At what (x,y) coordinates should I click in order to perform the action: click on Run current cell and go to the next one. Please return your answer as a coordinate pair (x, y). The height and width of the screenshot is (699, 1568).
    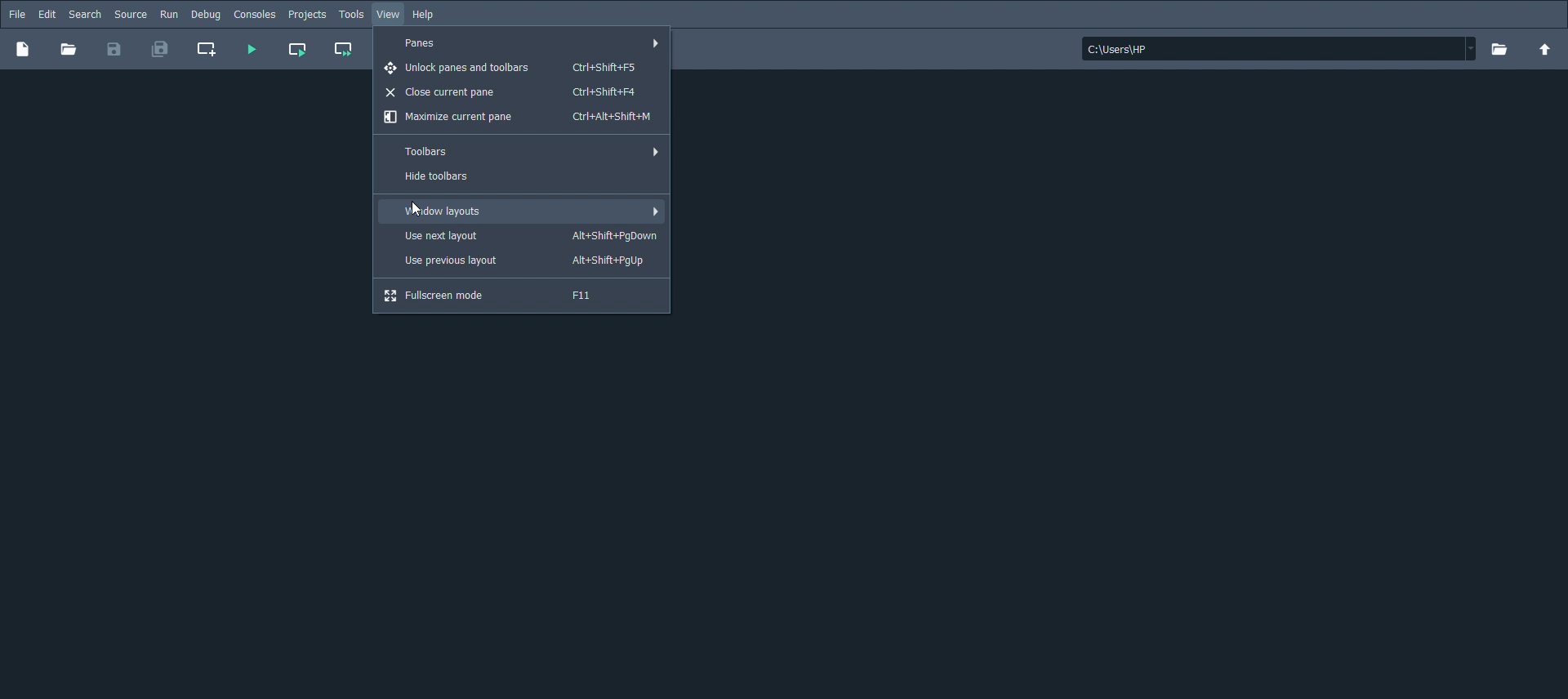
    Looking at the image, I should click on (342, 48).